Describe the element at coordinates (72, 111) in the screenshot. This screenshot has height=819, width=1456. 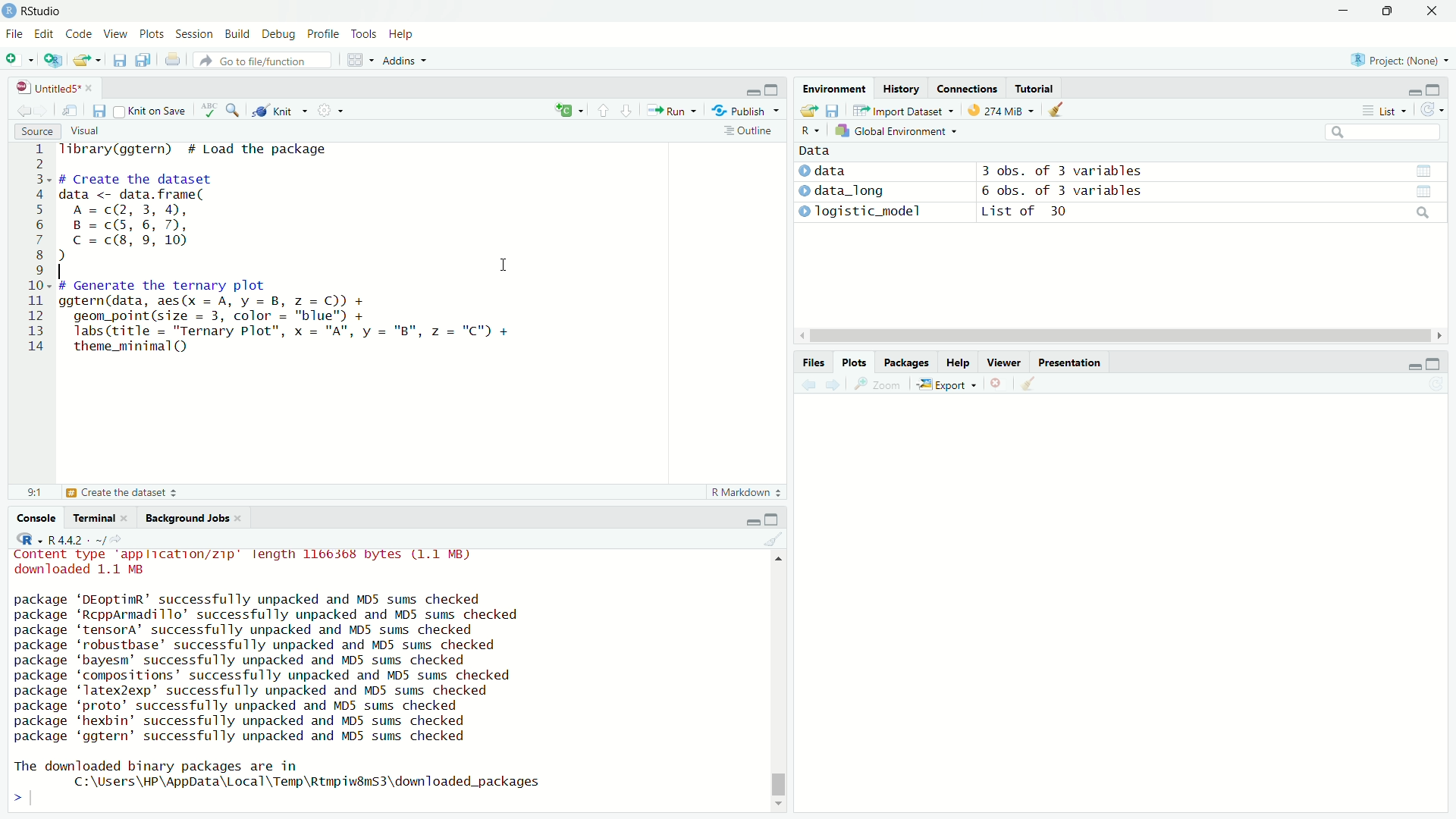
I see `view` at that location.